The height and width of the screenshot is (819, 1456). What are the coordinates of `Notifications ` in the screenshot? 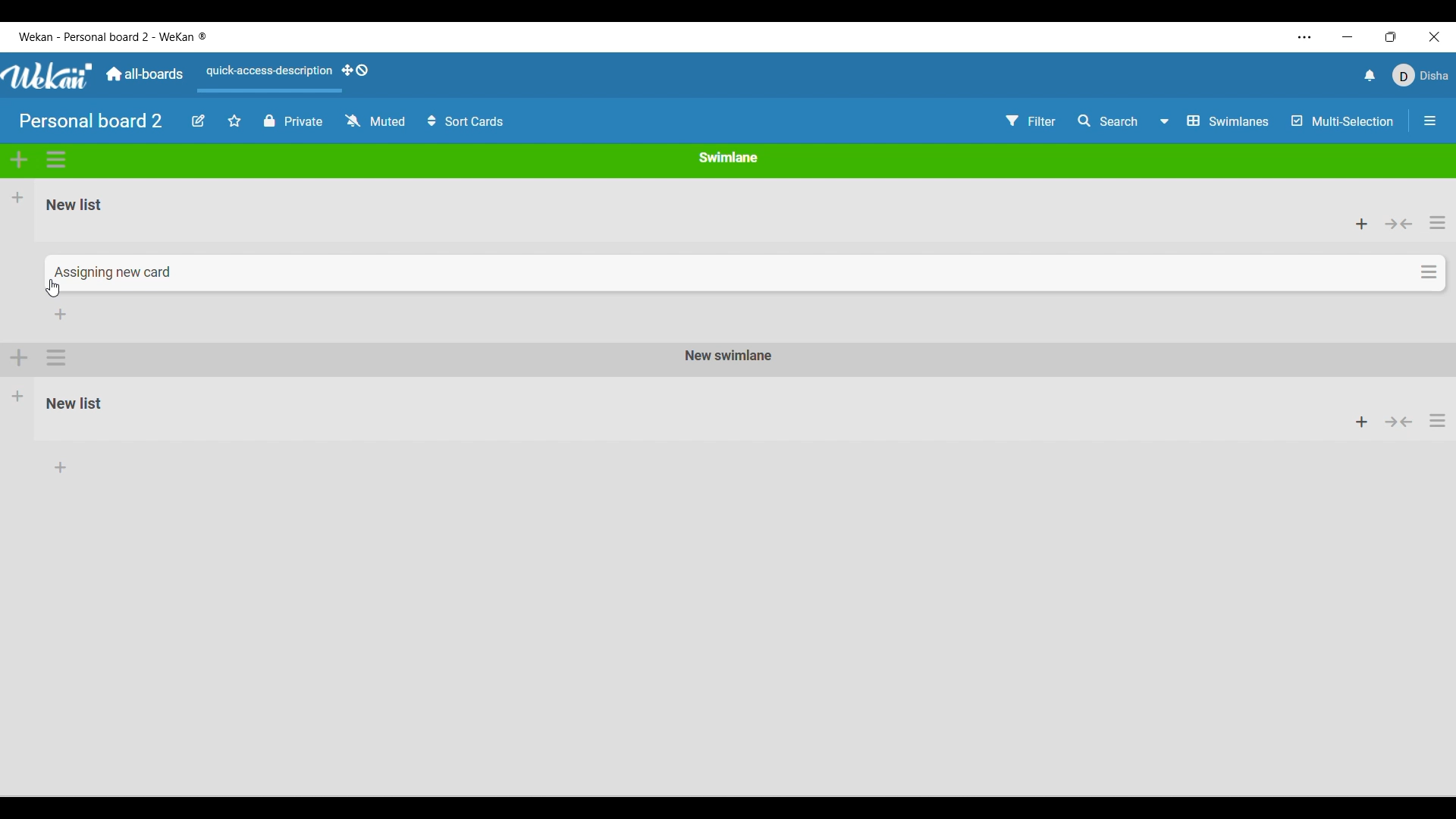 It's located at (1370, 75).